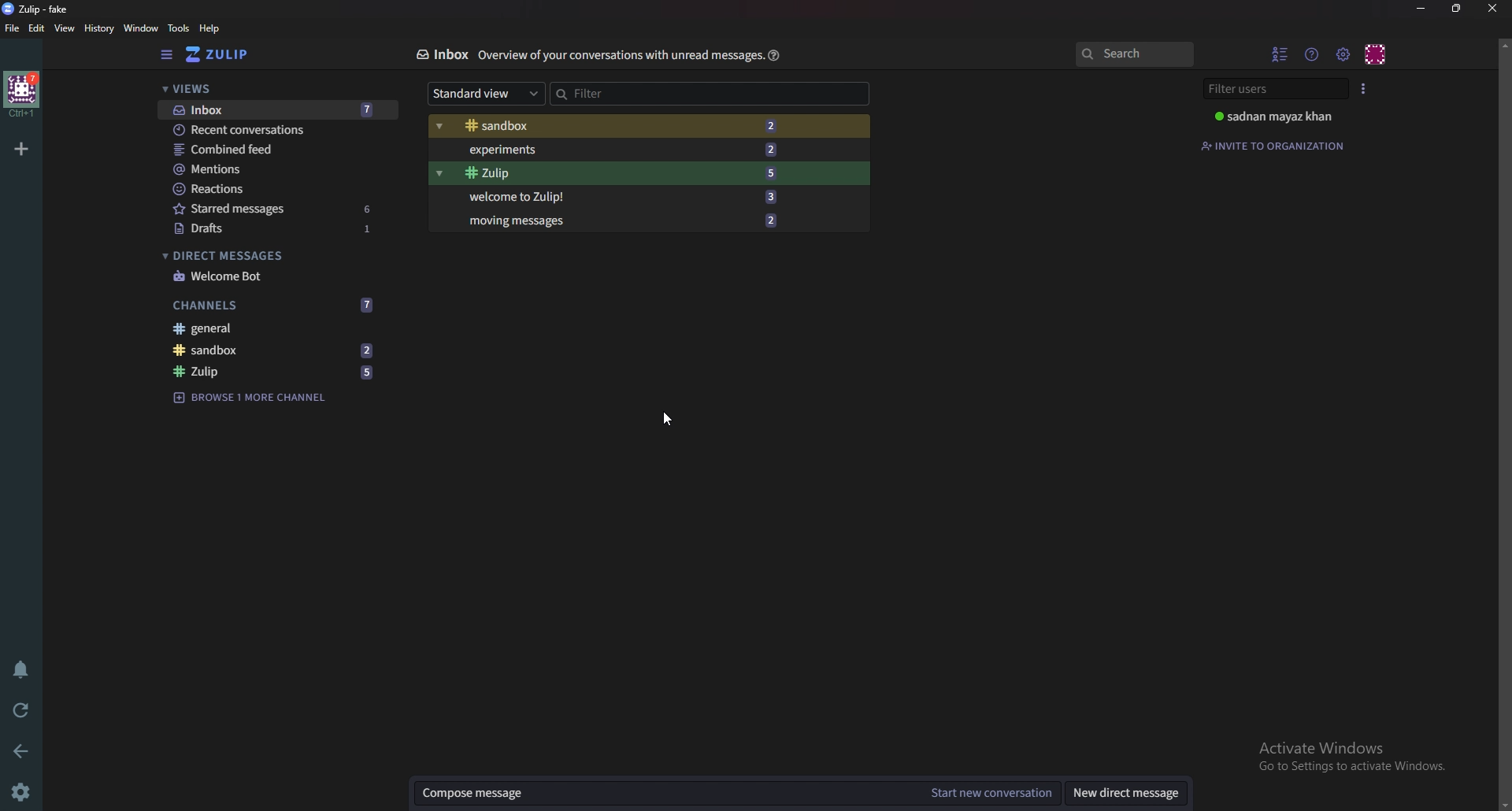 This screenshot has height=811, width=1512. What do you see at coordinates (243, 209) in the screenshot?
I see `starred messages` at bounding box center [243, 209].